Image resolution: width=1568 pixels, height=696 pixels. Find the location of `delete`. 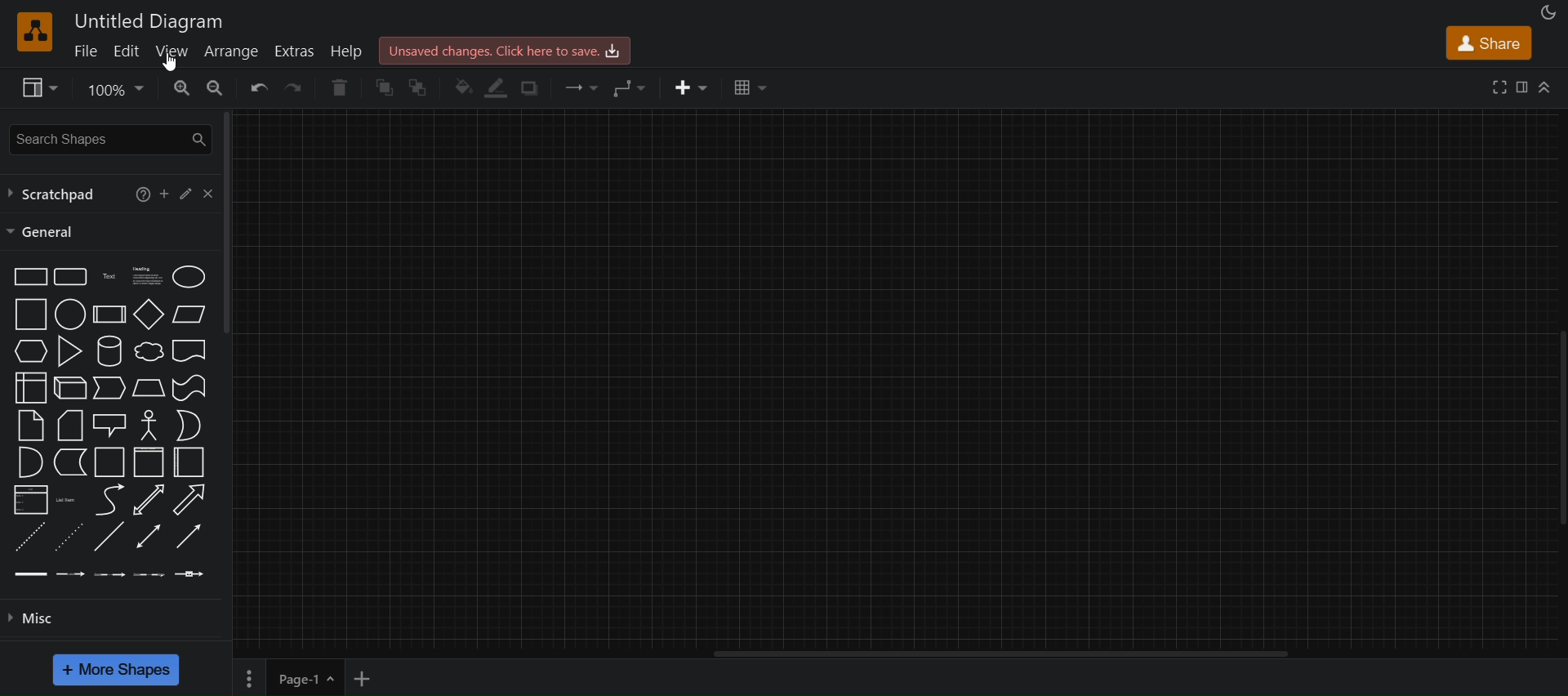

delete is located at coordinates (339, 87).